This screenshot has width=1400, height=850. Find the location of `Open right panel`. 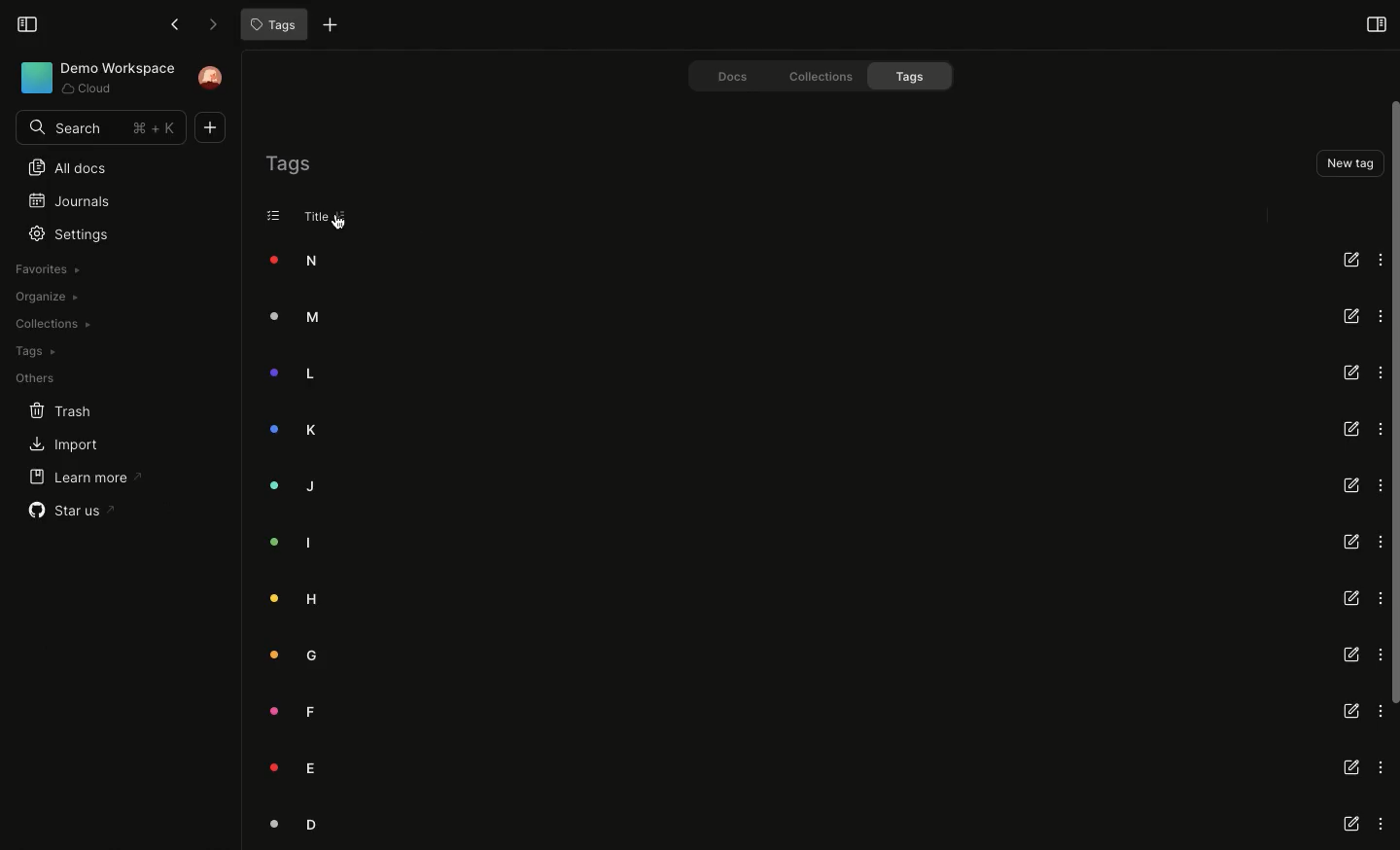

Open right panel is located at coordinates (1376, 23).